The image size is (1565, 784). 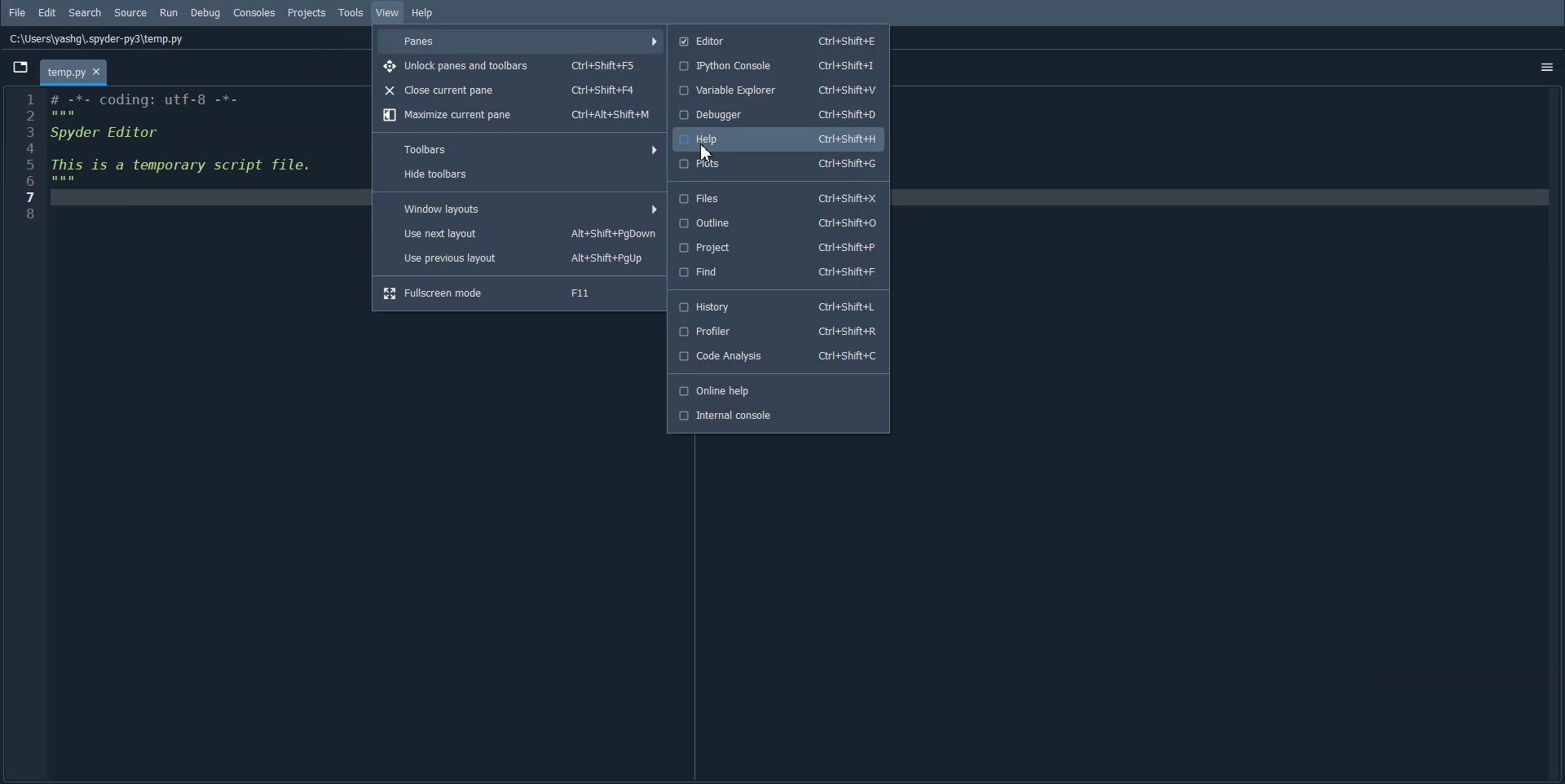 What do you see at coordinates (705, 152) in the screenshot?
I see `Cursor` at bounding box center [705, 152].